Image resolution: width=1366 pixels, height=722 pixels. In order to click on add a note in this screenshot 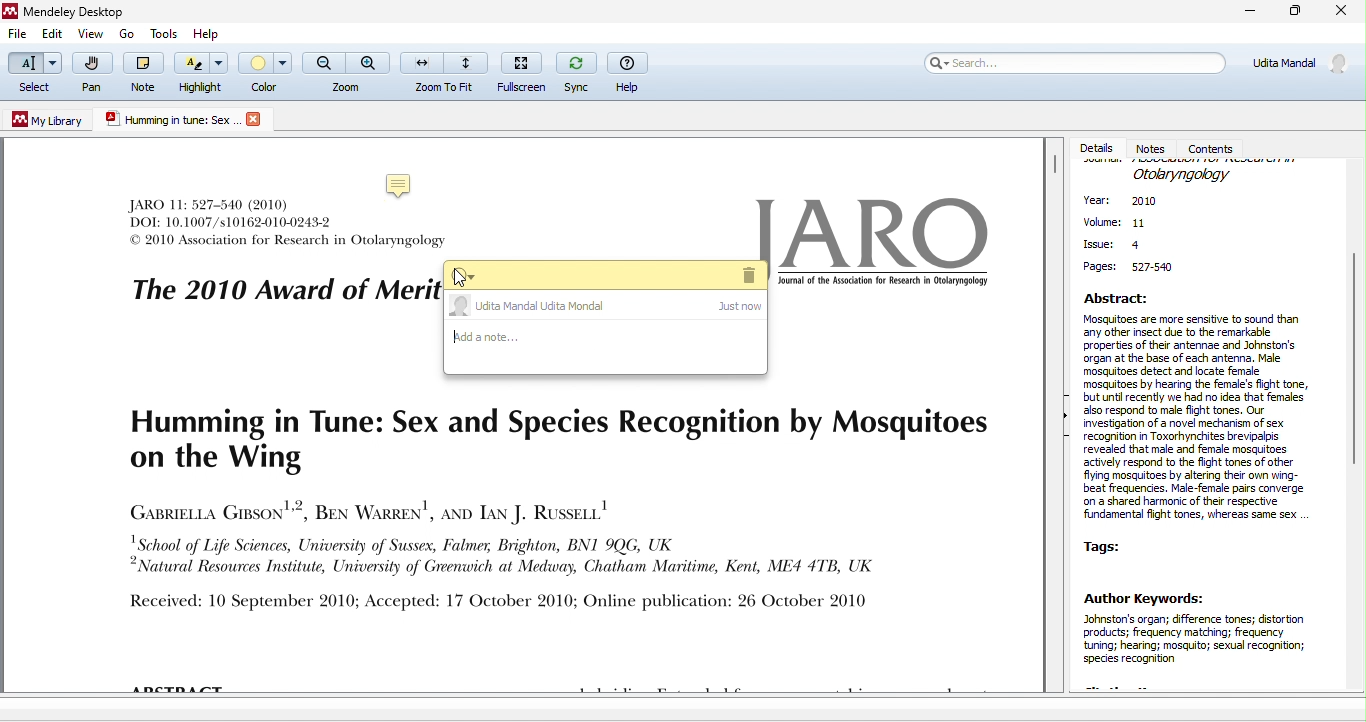, I will do `click(606, 348)`.